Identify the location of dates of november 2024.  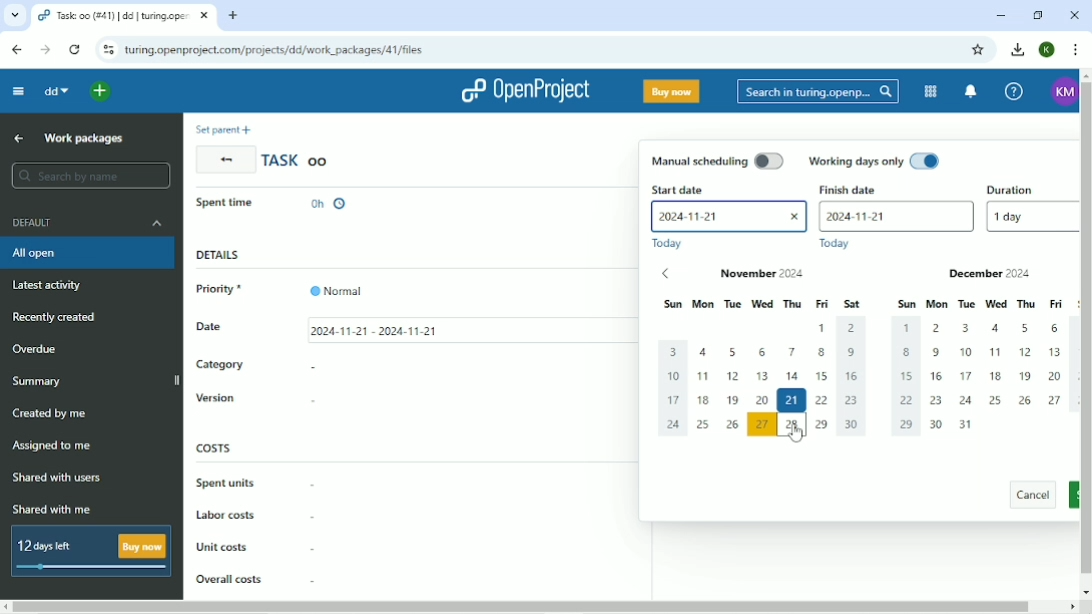
(760, 382).